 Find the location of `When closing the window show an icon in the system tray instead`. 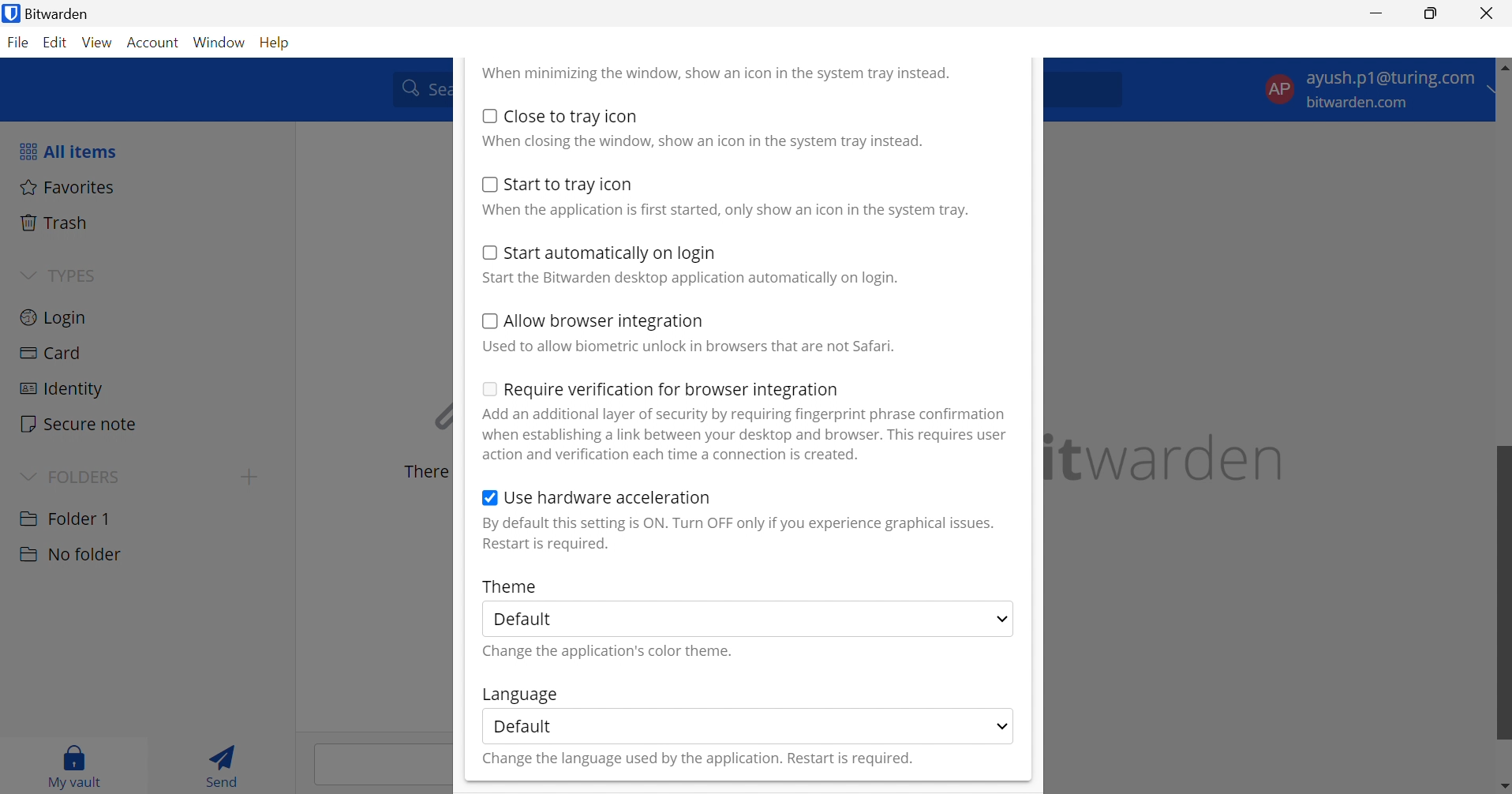

When closing the window show an icon in the system tray instead is located at coordinates (702, 140).